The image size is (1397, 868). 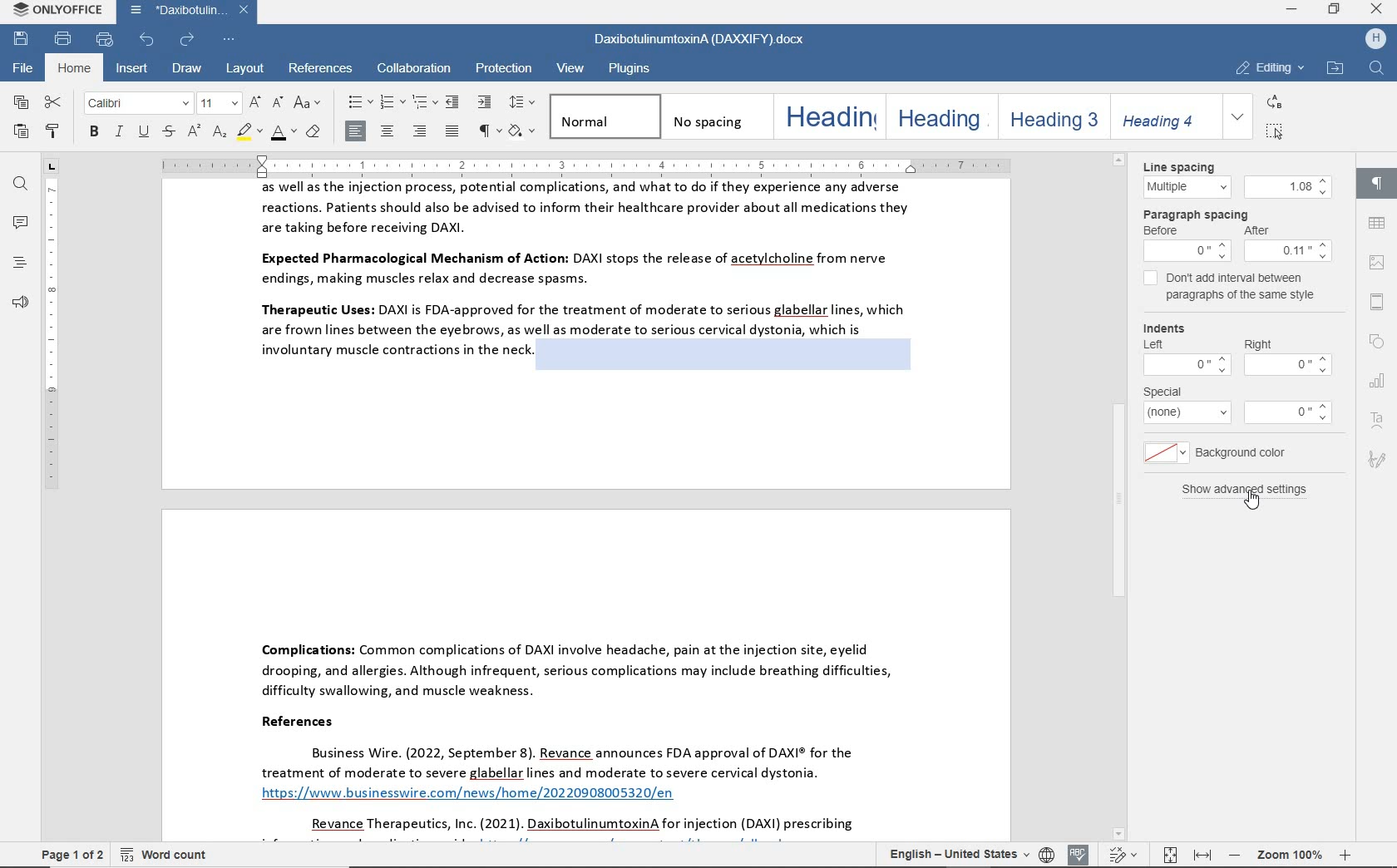 I want to click on document name, so click(x=697, y=41).